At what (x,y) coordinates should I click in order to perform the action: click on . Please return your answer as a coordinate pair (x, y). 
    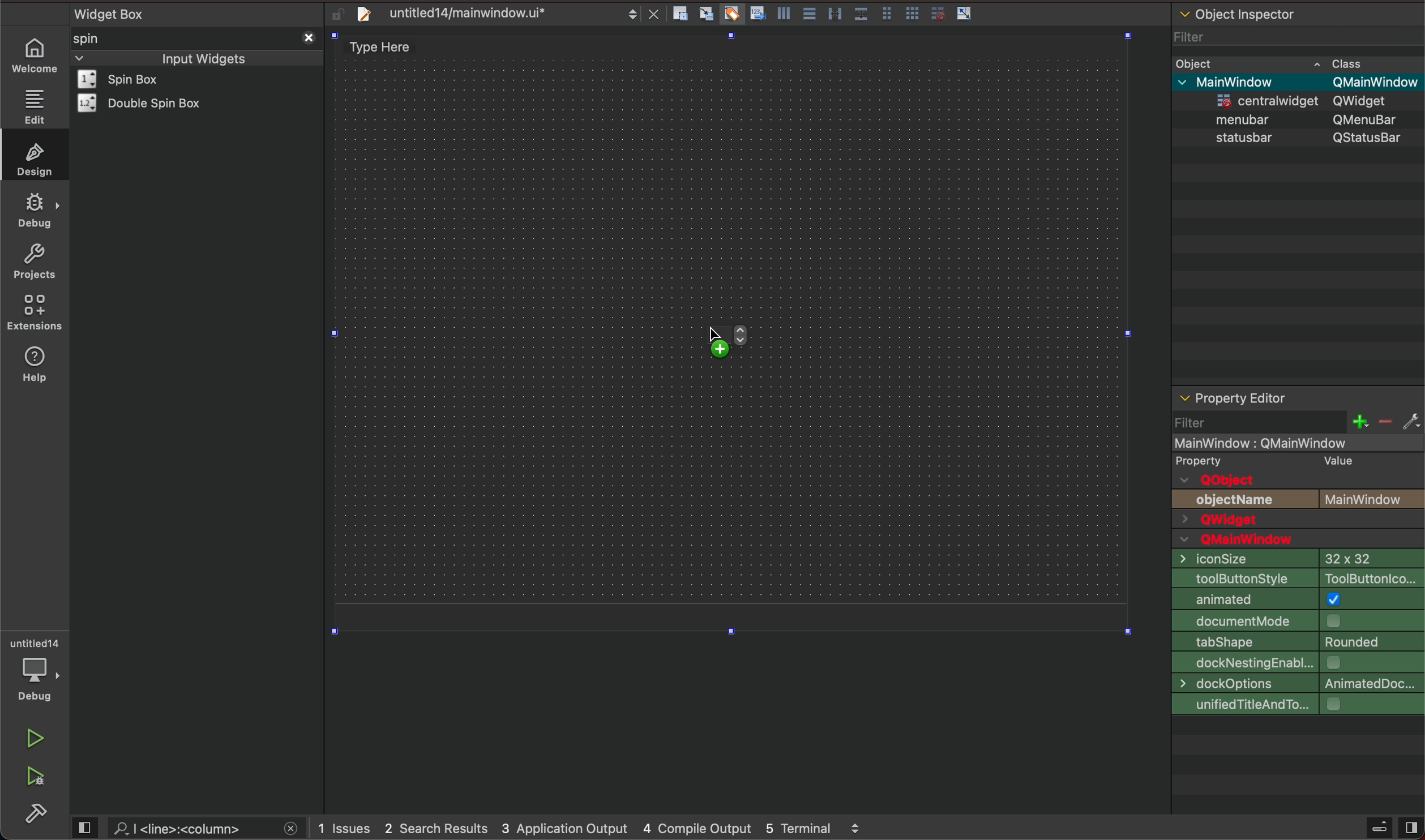
    Looking at the image, I should click on (1246, 81).